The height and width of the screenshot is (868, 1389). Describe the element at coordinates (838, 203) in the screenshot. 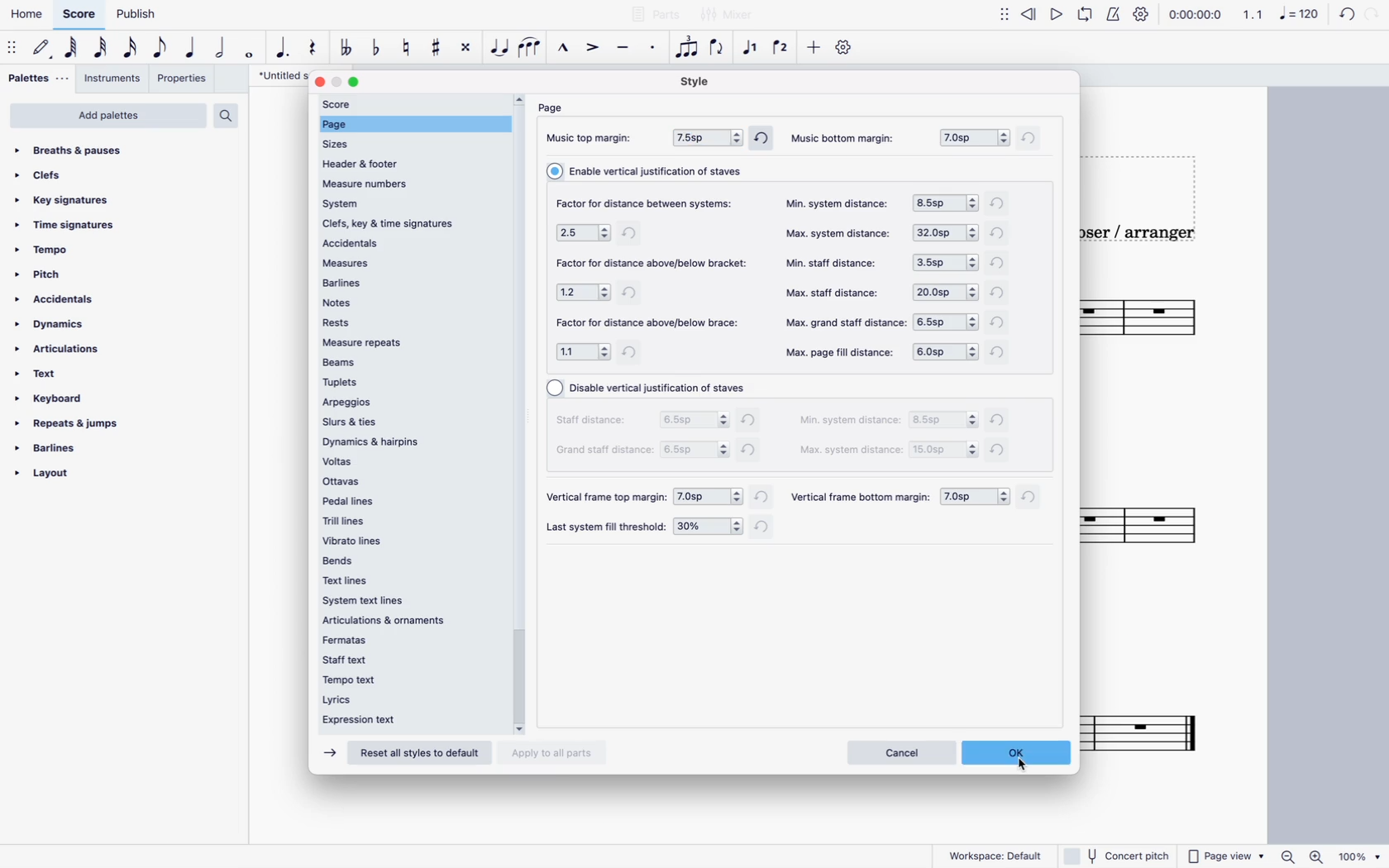

I see `min. system distance` at that location.